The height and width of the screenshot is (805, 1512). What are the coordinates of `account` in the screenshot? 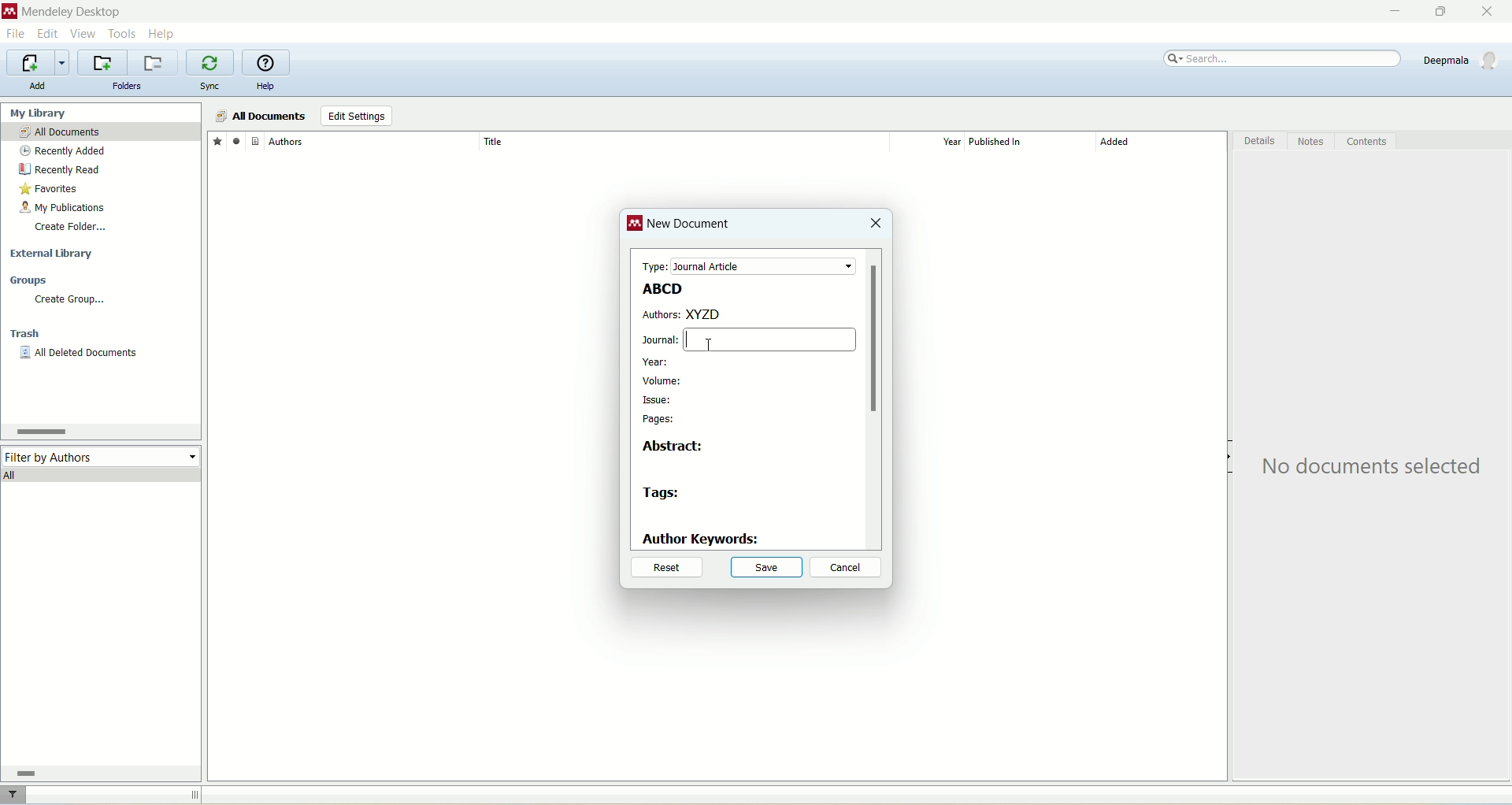 It's located at (1463, 60).